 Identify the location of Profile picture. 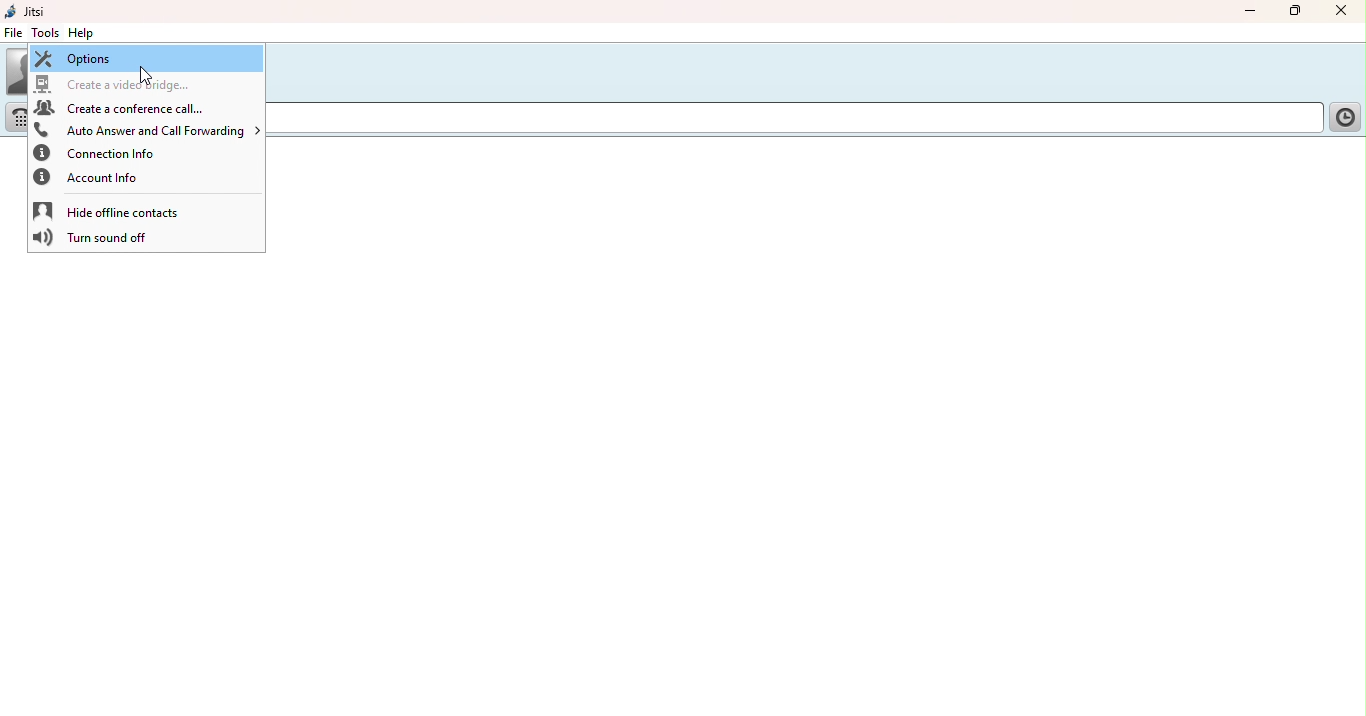
(17, 70).